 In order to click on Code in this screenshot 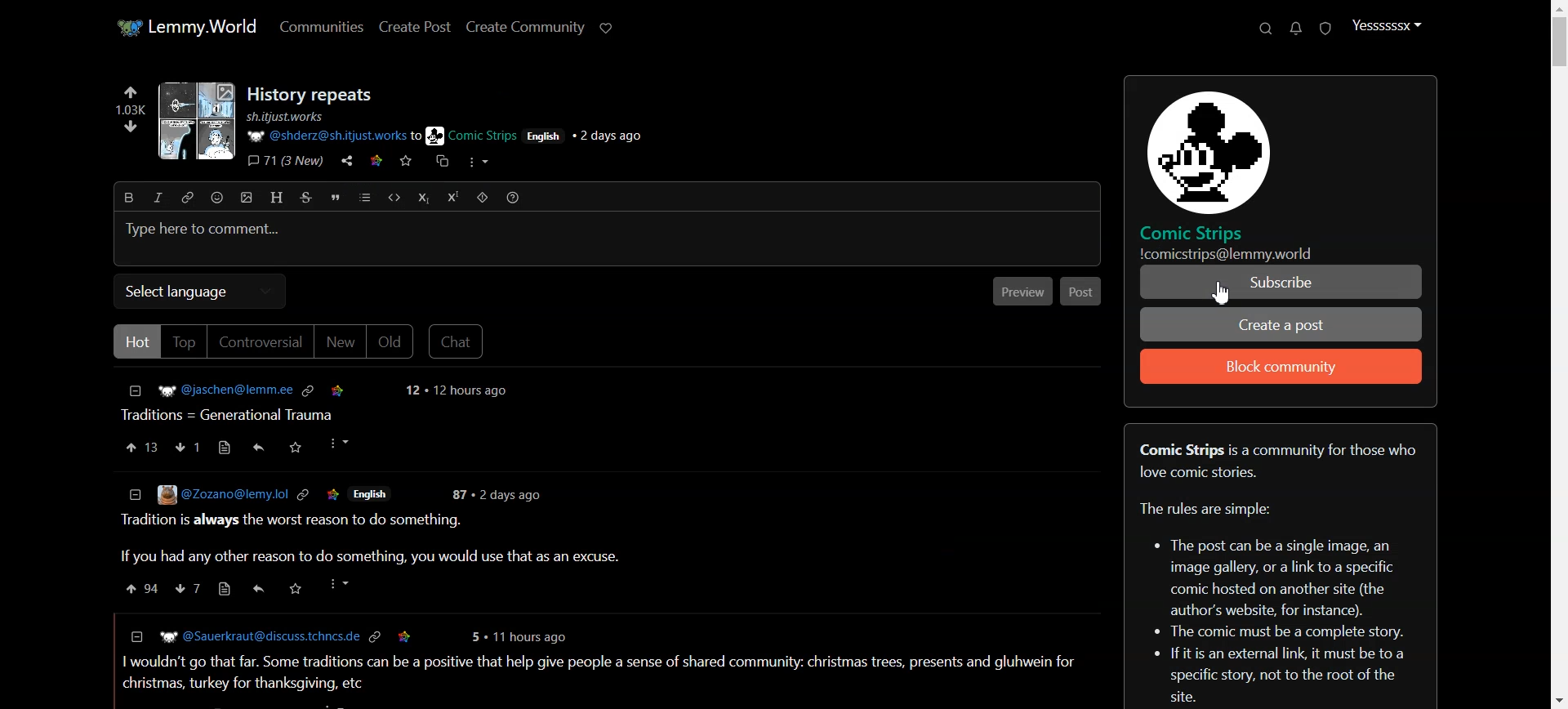, I will do `click(394, 198)`.